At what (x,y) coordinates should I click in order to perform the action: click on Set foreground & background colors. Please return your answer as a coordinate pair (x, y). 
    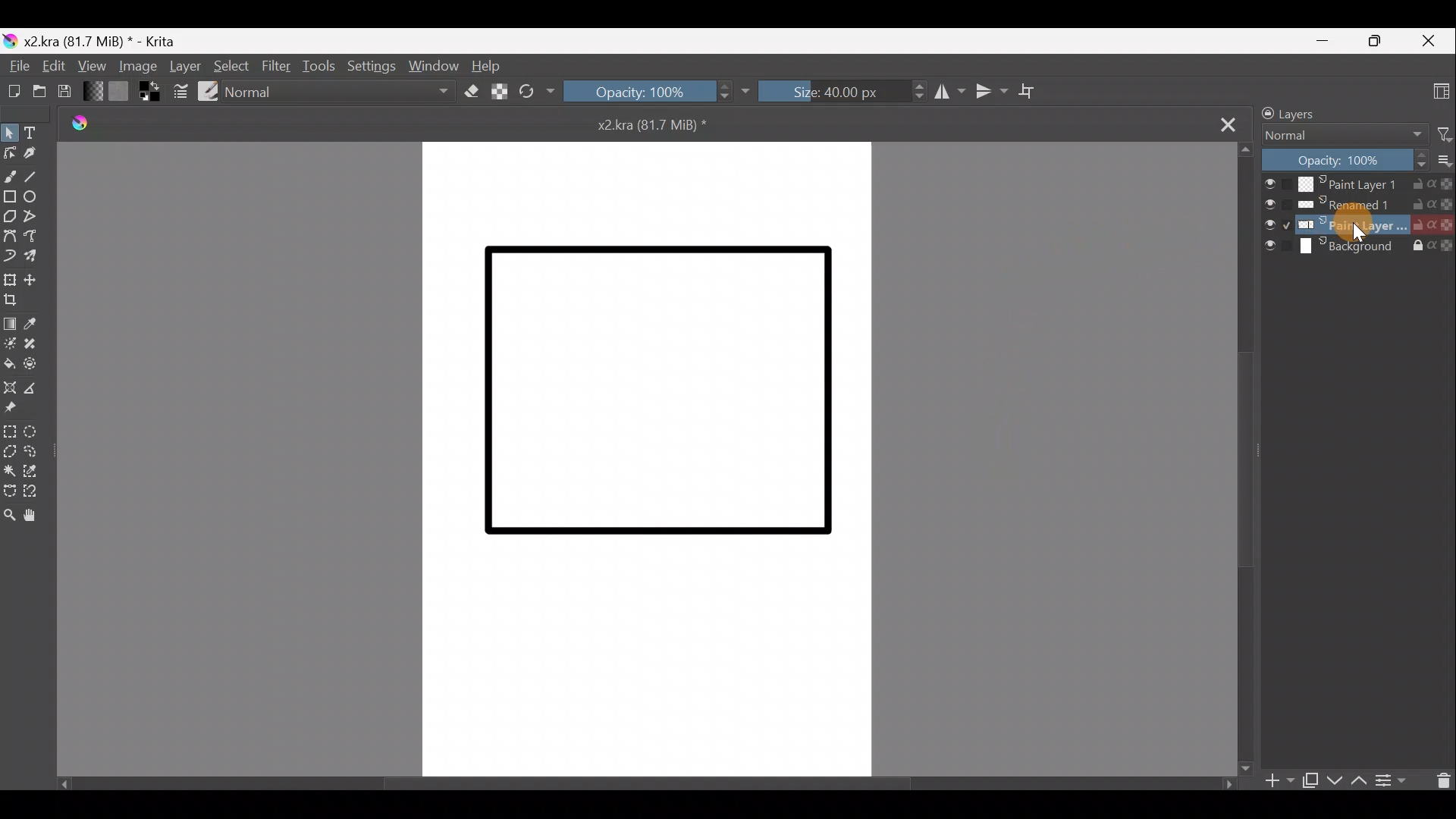
    Looking at the image, I should click on (146, 93).